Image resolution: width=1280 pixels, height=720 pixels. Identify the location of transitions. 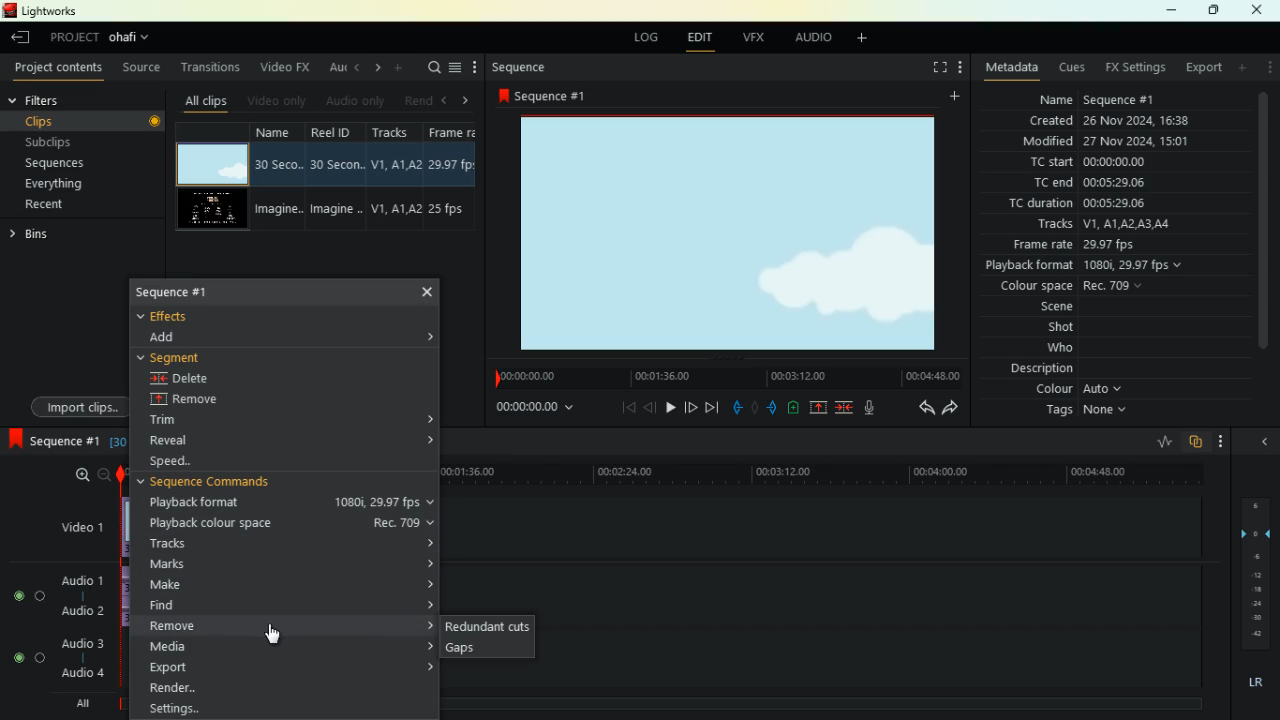
(214, 67).